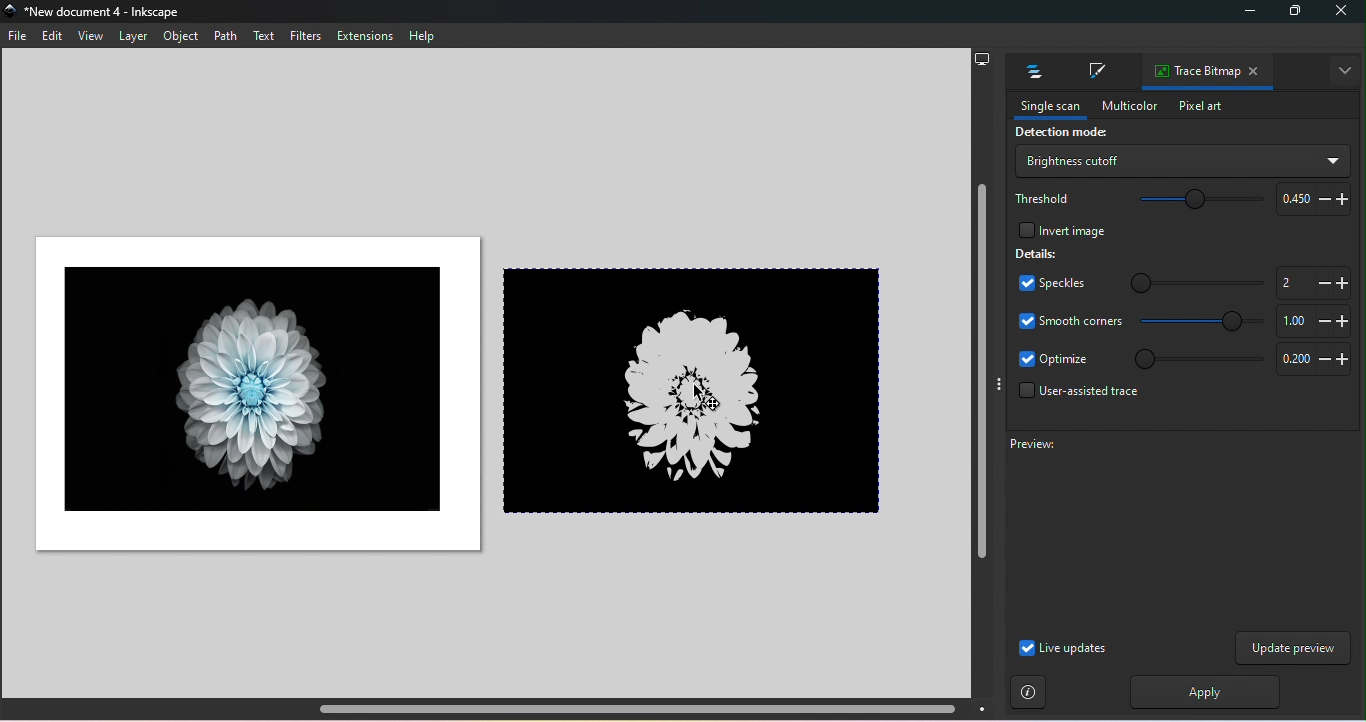 The height and width of the screenshot is (722, 1366). I want to click on Vertical scroll bar, so click(980, 385).